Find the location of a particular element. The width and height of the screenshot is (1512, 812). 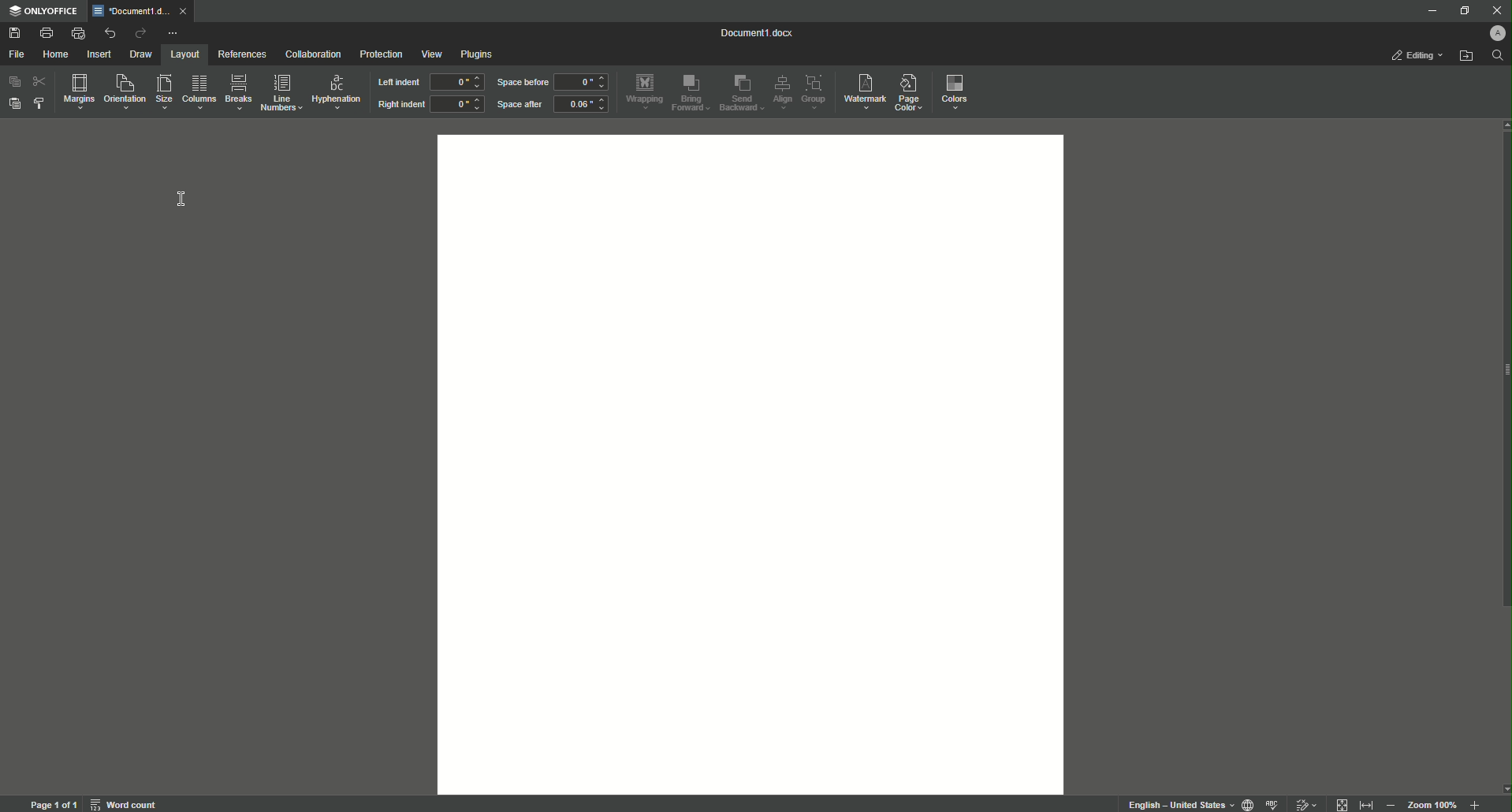

Search is located at coordinates (1495, 59).